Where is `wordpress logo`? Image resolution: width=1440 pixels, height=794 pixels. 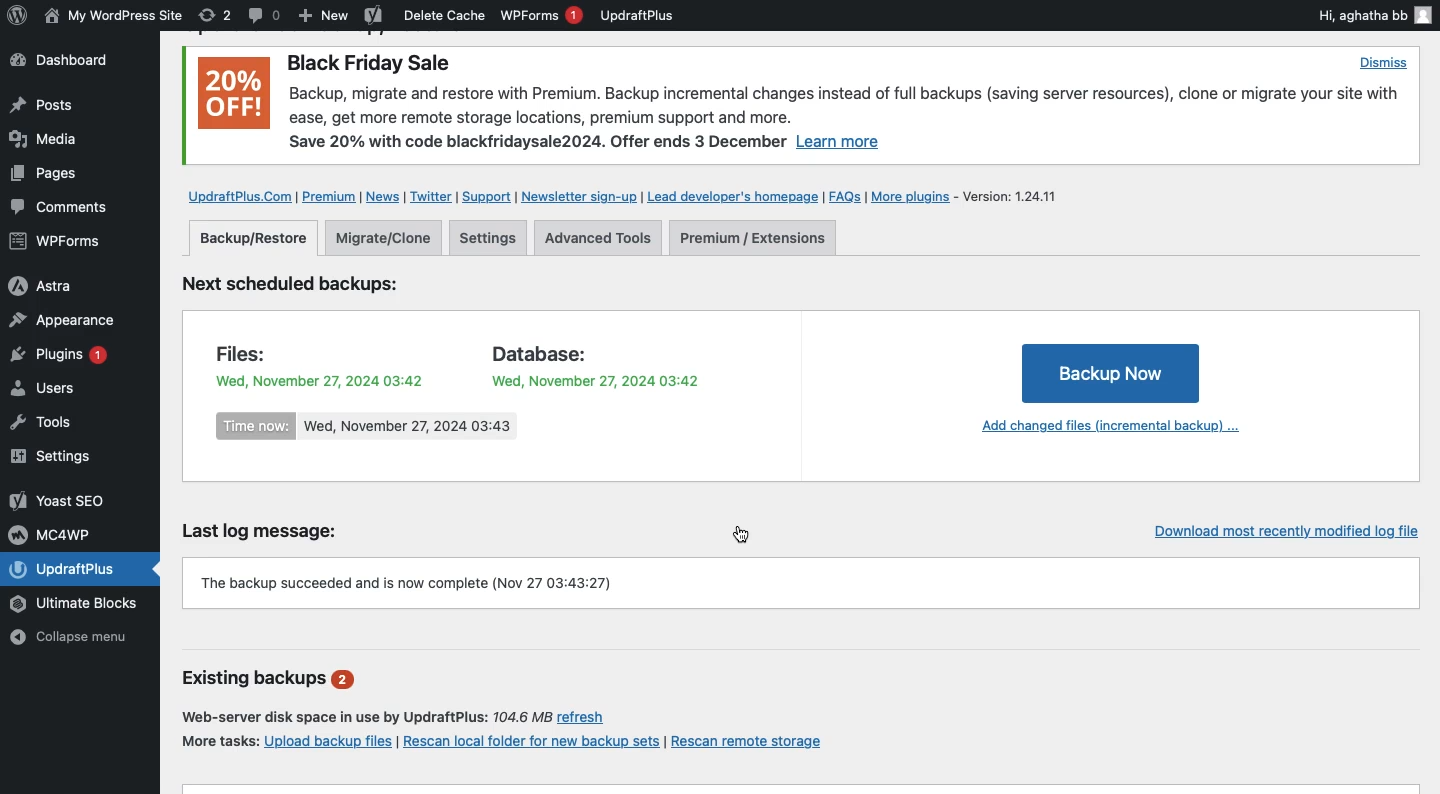 wordpress logo is located at coordinates (17, 15).